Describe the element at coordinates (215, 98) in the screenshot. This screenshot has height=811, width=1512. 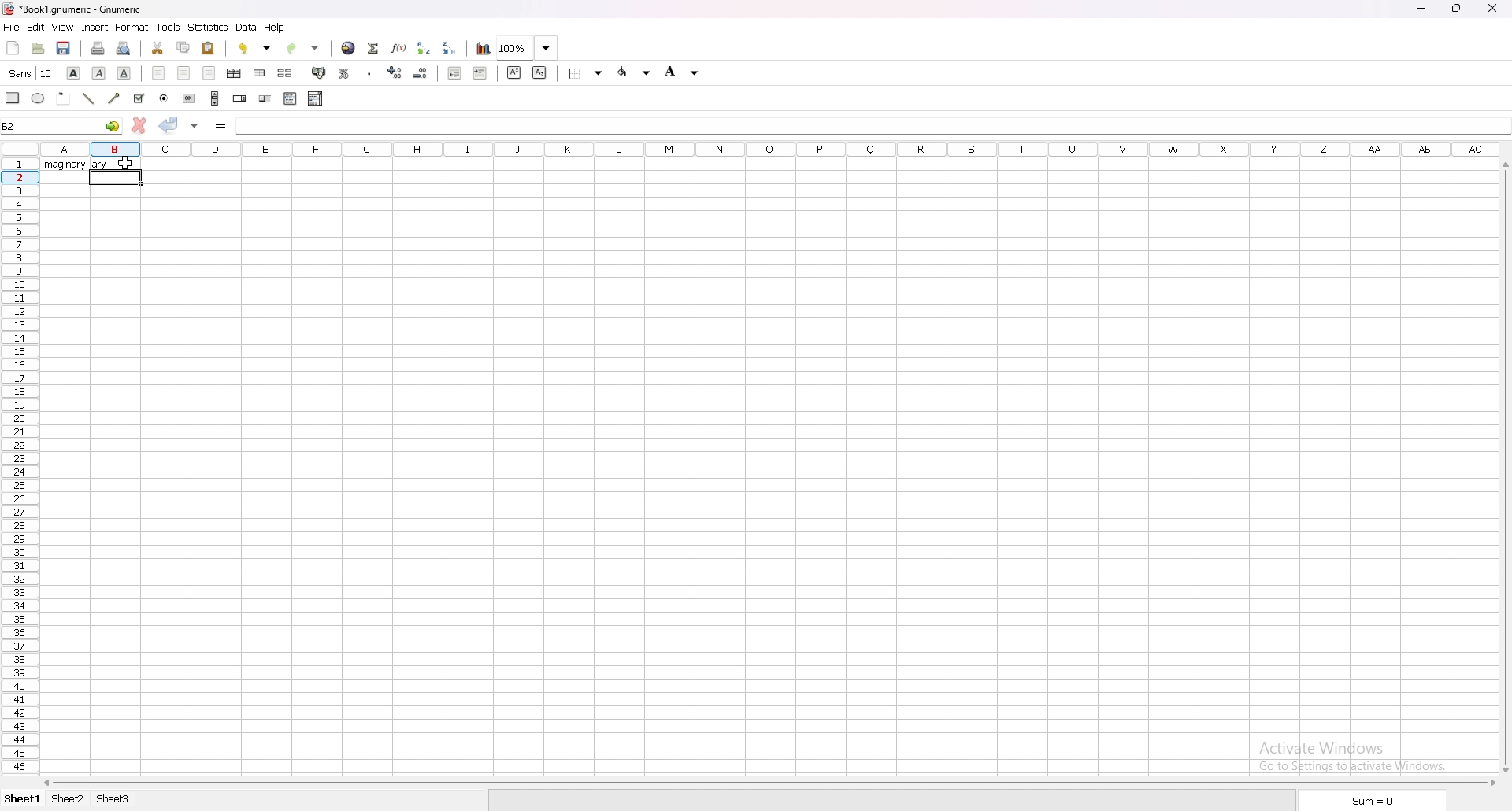
I see `scroll bar` at that location.